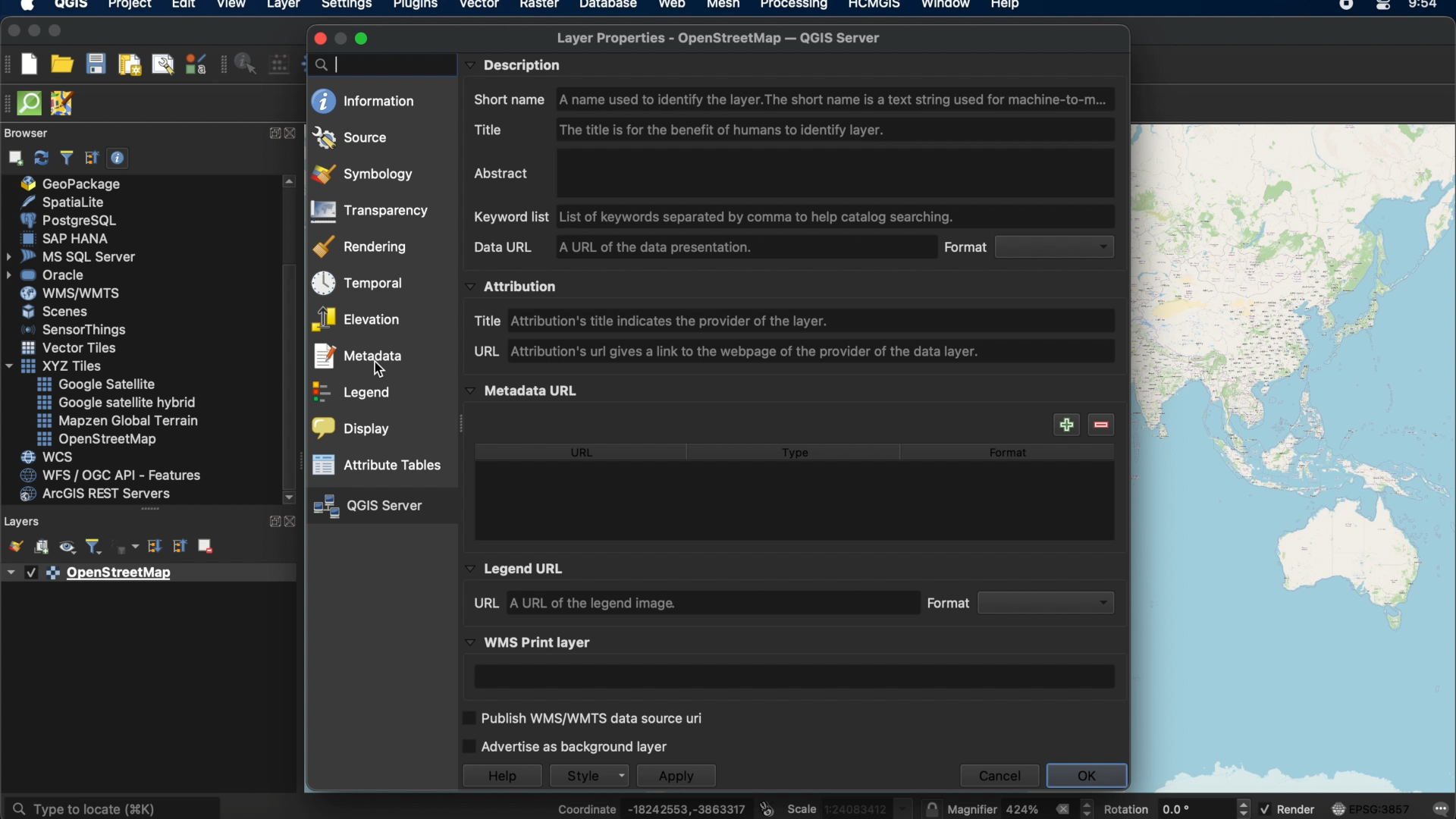 Image resolution: width=1456 pixels, height=819 pixels. I want to click on data url description, so click(616, 246).